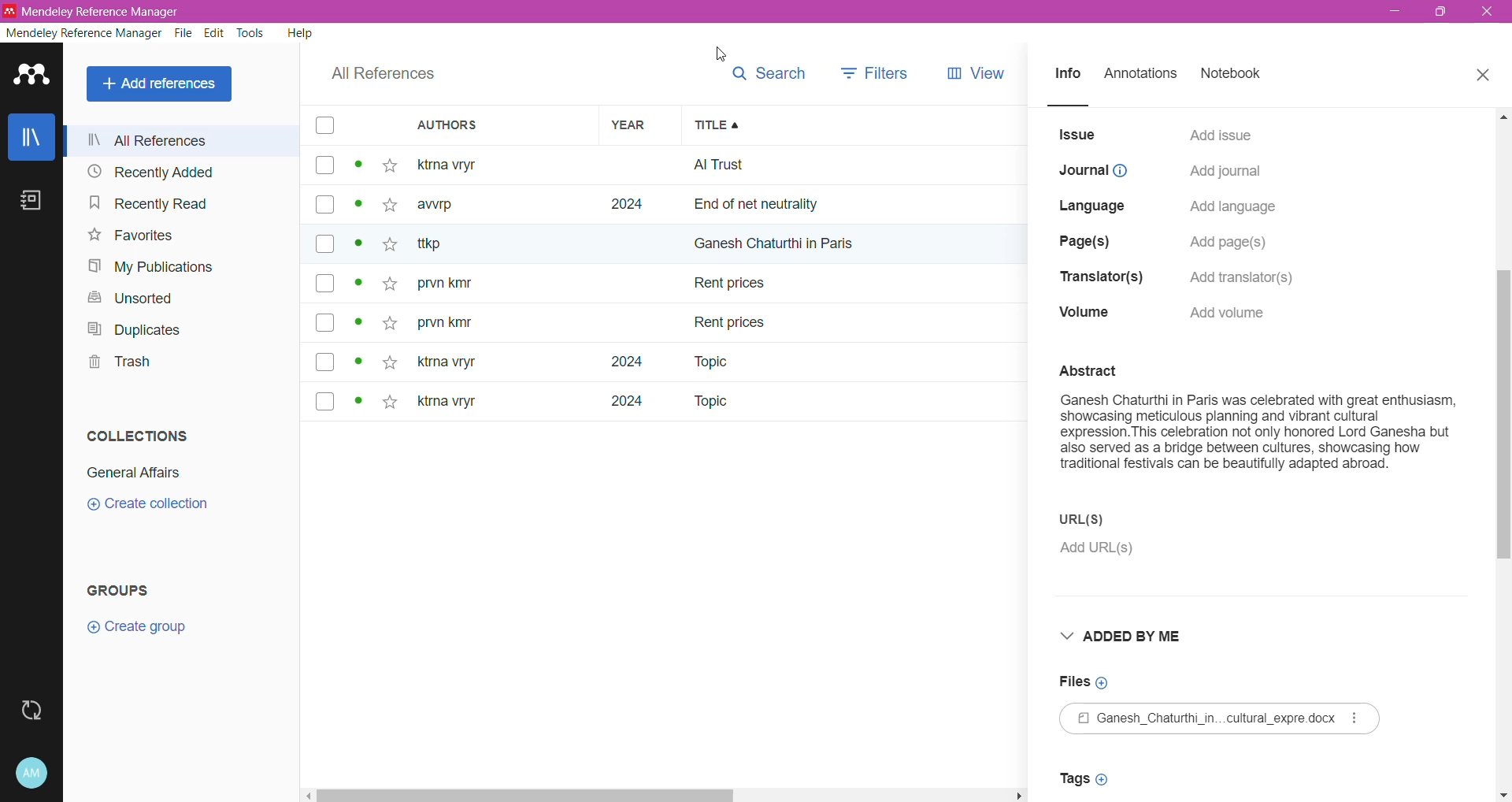 Image resolution: width=1512 pixels, height=802 pixels. I want to click on Year, so click(637, 126).